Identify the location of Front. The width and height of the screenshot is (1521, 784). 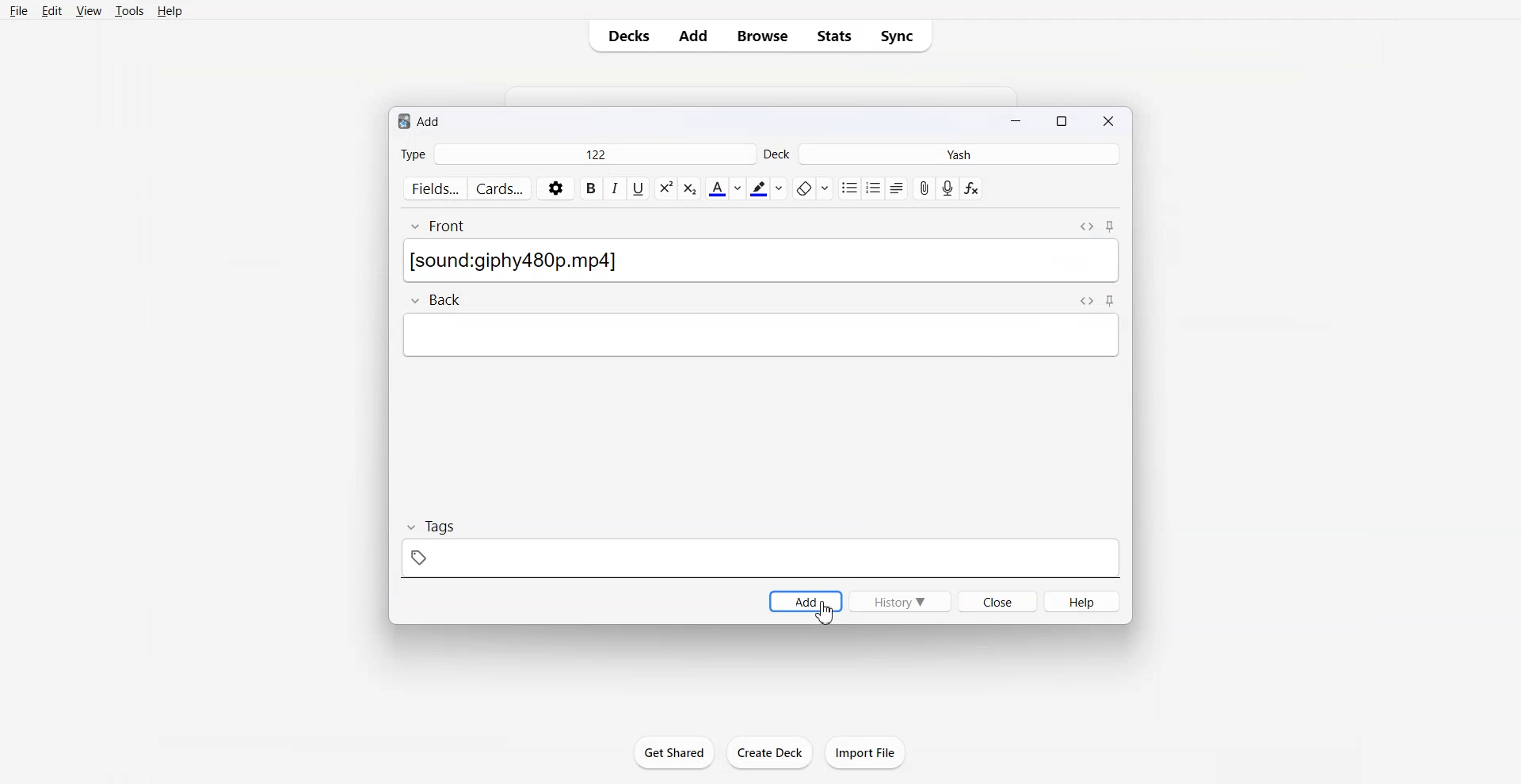
(433, 226).